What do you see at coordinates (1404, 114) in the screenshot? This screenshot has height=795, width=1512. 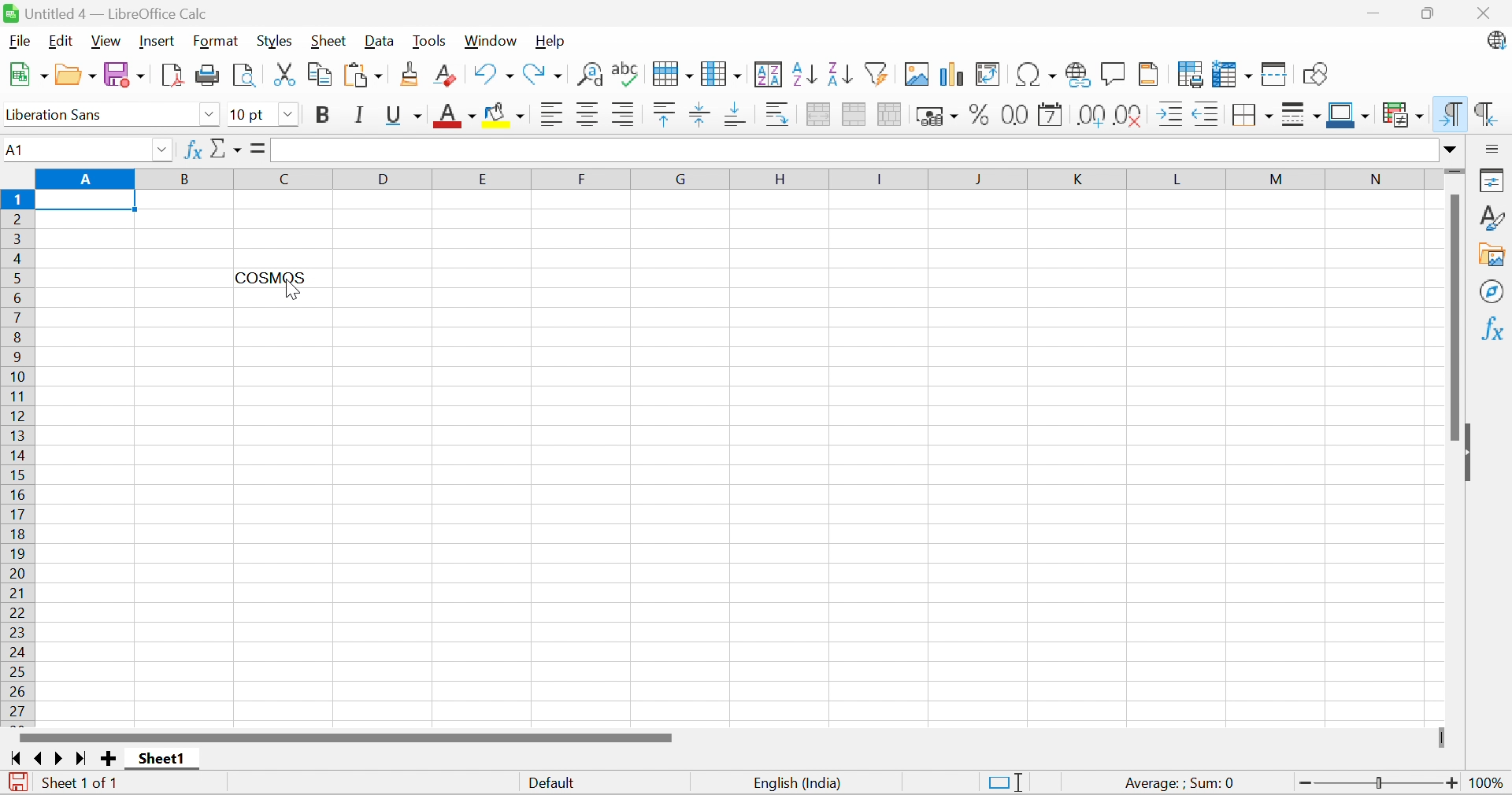 I see `Conditional` at bounding box center [1404, 114].